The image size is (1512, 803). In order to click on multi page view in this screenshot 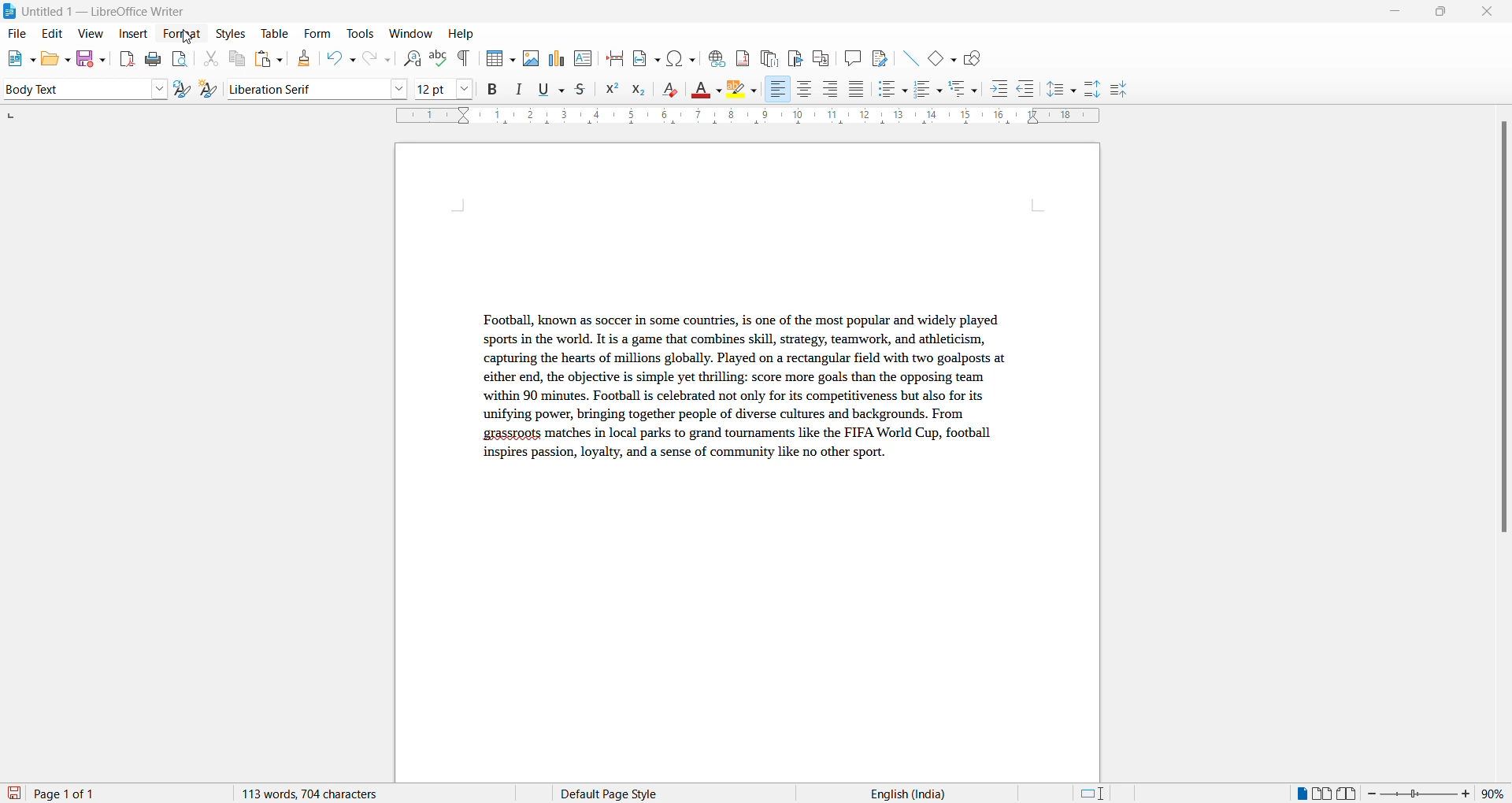, I will do `click(1324, 794)`.